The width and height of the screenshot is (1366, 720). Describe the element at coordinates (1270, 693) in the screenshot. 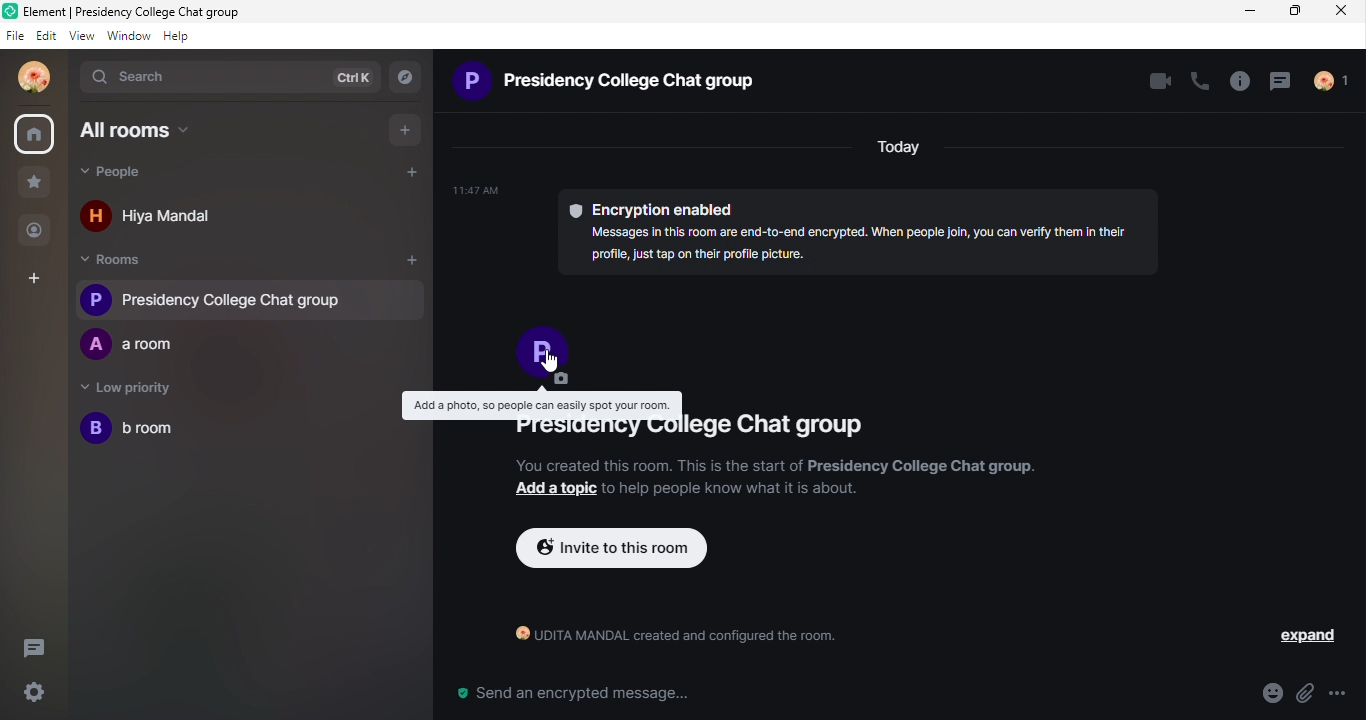

I see `emoji` at that location.